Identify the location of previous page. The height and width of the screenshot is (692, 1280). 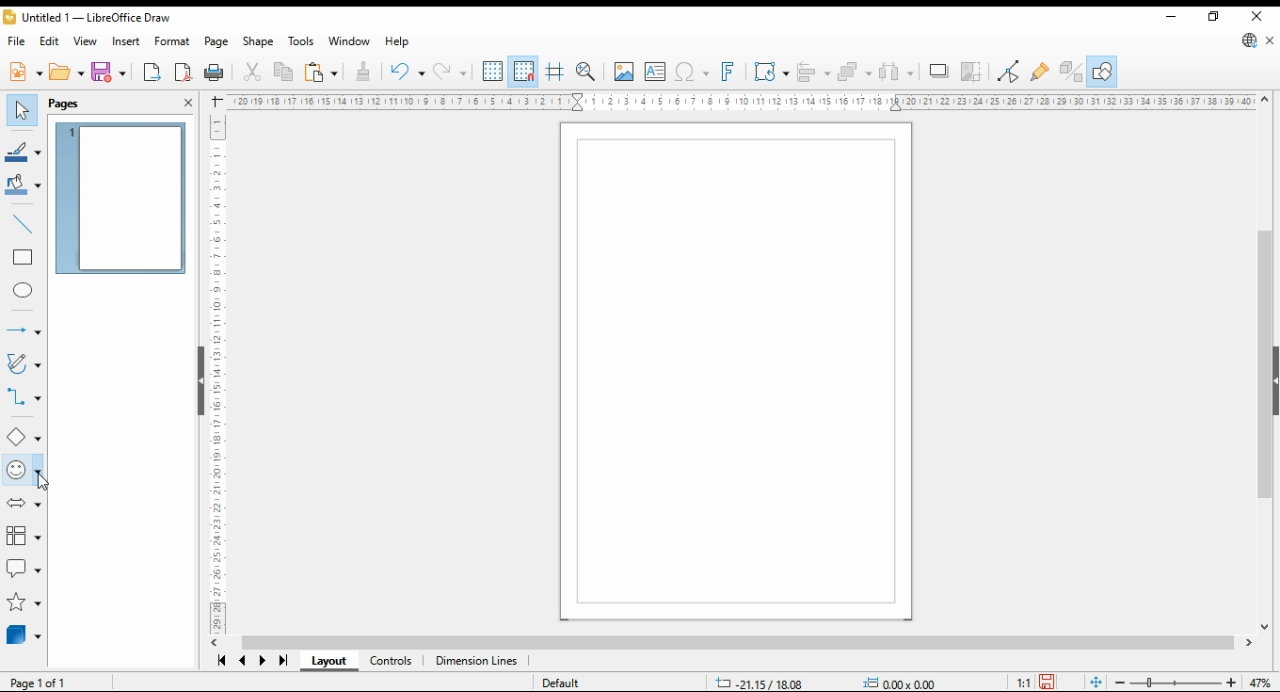
(243, 663).